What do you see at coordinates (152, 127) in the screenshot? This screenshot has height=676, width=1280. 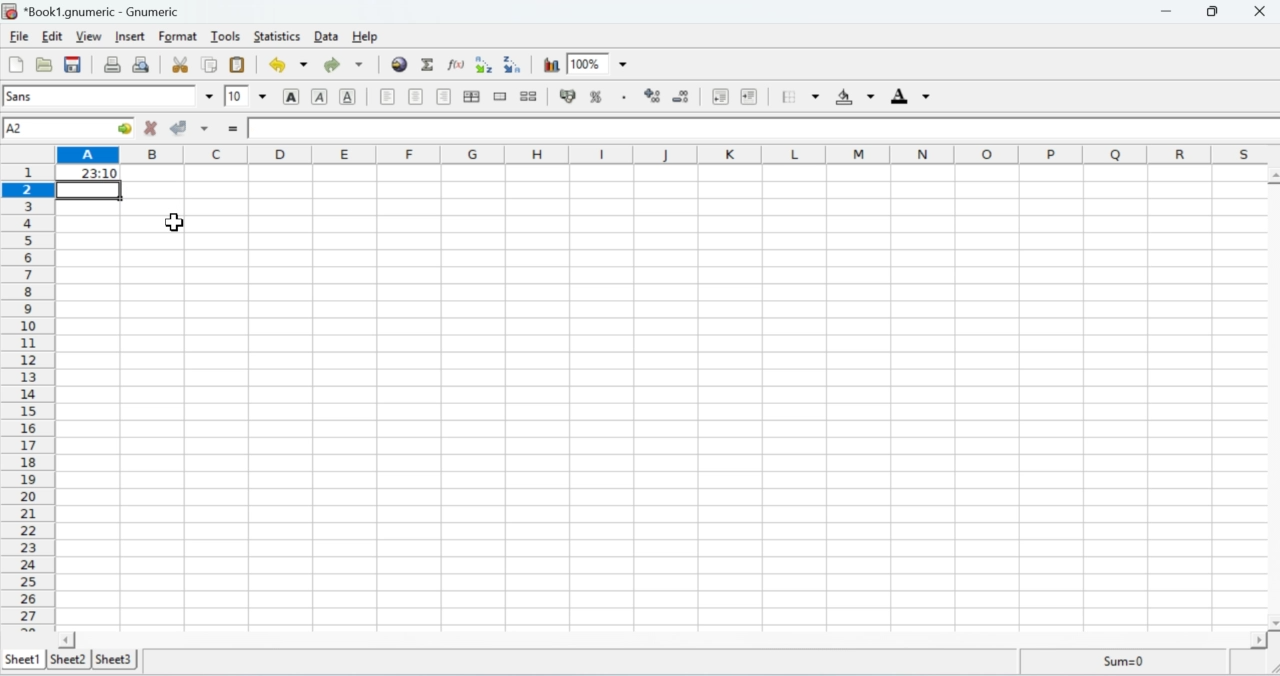 I see `Cancel Change` at bounding box center [152, 127].